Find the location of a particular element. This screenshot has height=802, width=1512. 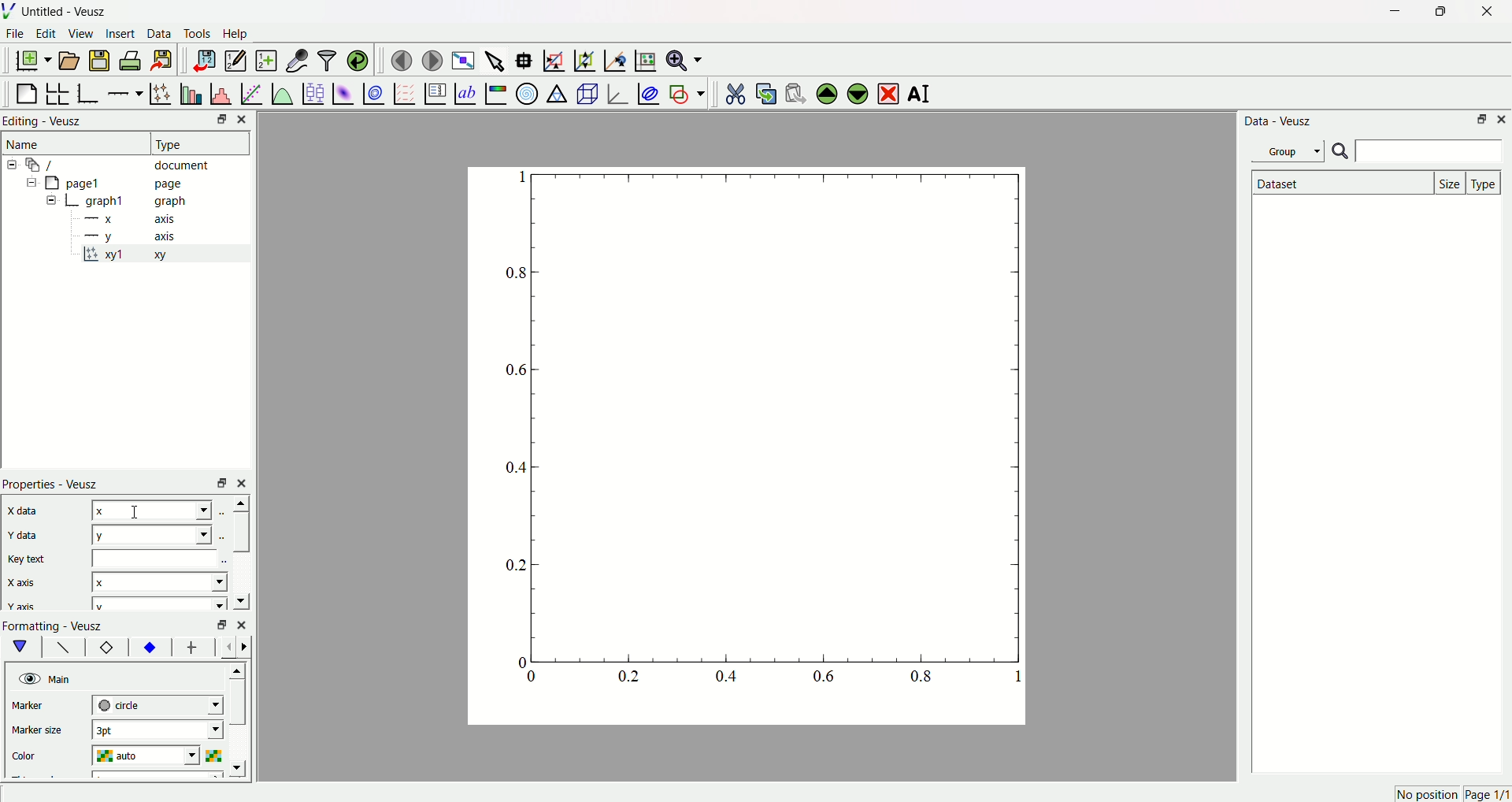

capture remote datasets is located at coordinates (295, 59).